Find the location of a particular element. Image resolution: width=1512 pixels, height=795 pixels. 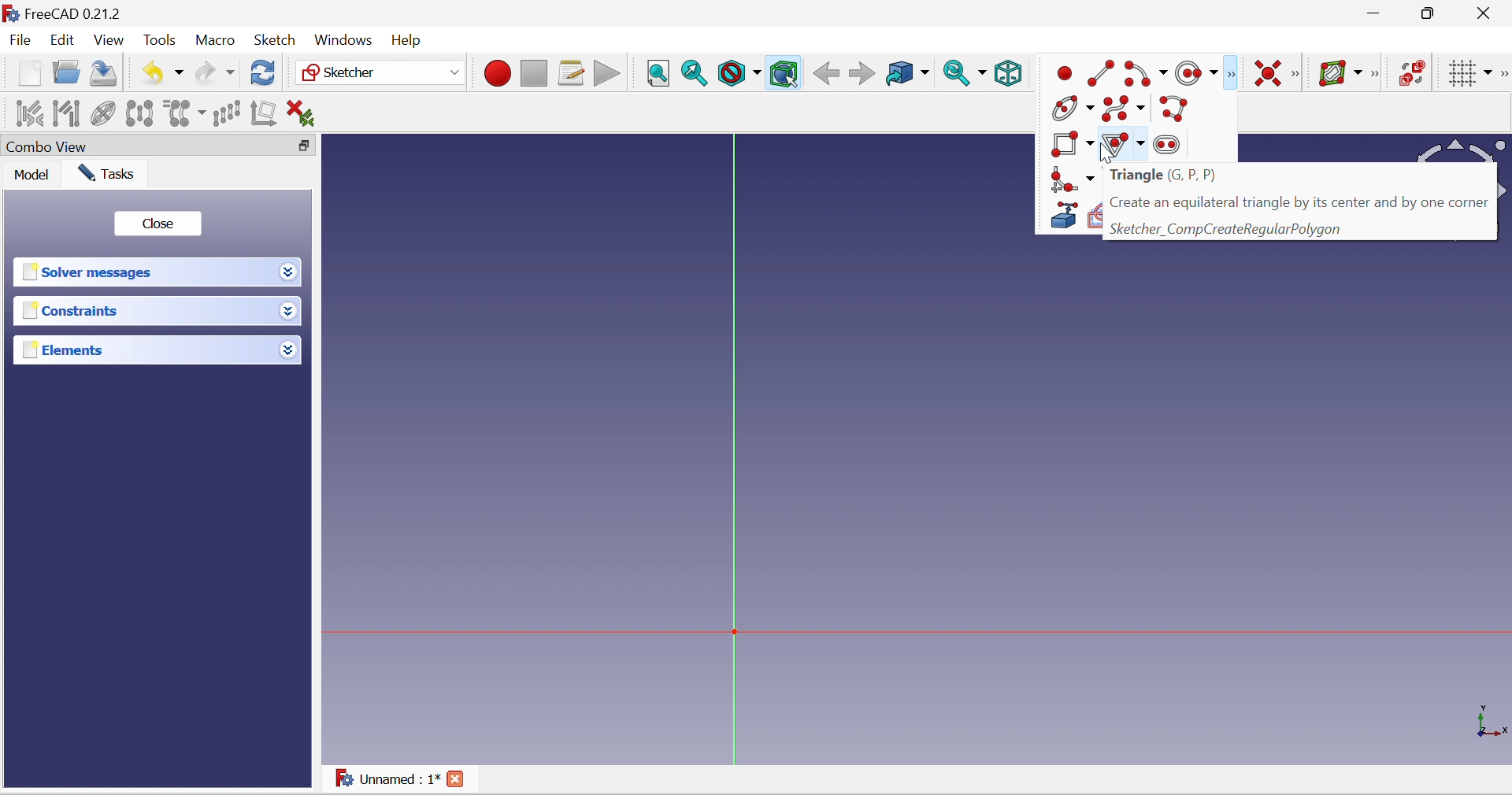

New is located at coordinates (29, 73).